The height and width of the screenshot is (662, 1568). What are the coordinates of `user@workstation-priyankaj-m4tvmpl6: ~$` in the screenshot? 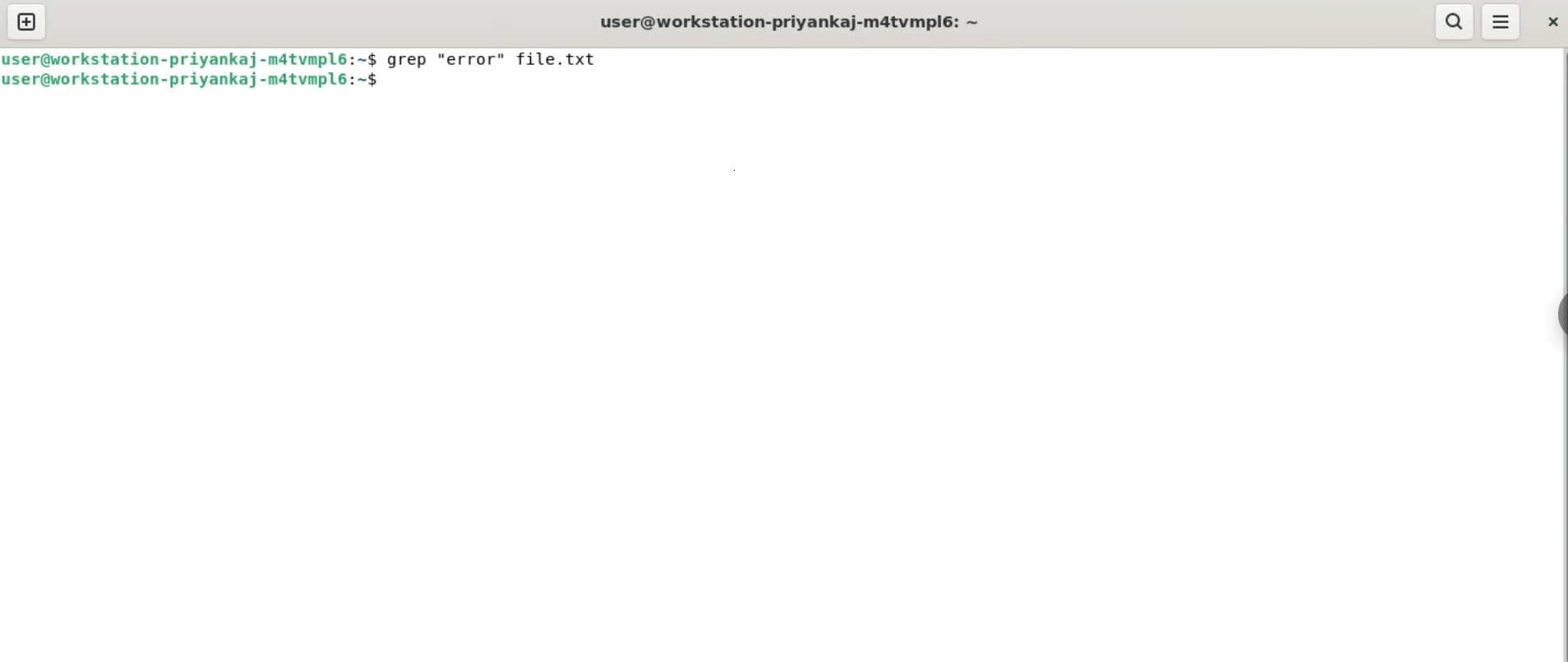 It's located at (195, 80).